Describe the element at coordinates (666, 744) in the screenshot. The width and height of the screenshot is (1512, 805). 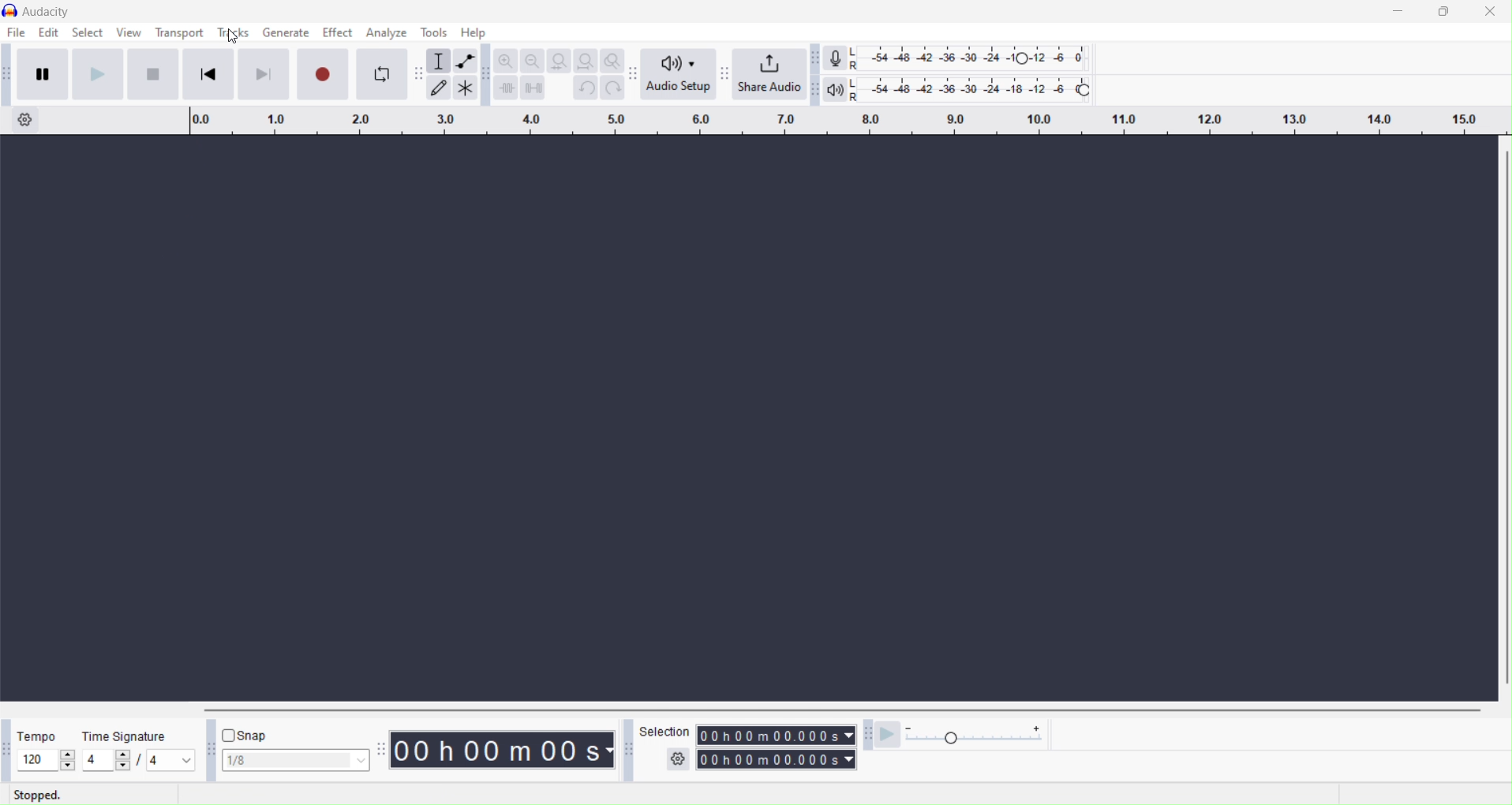
I see `Selection` at that location.